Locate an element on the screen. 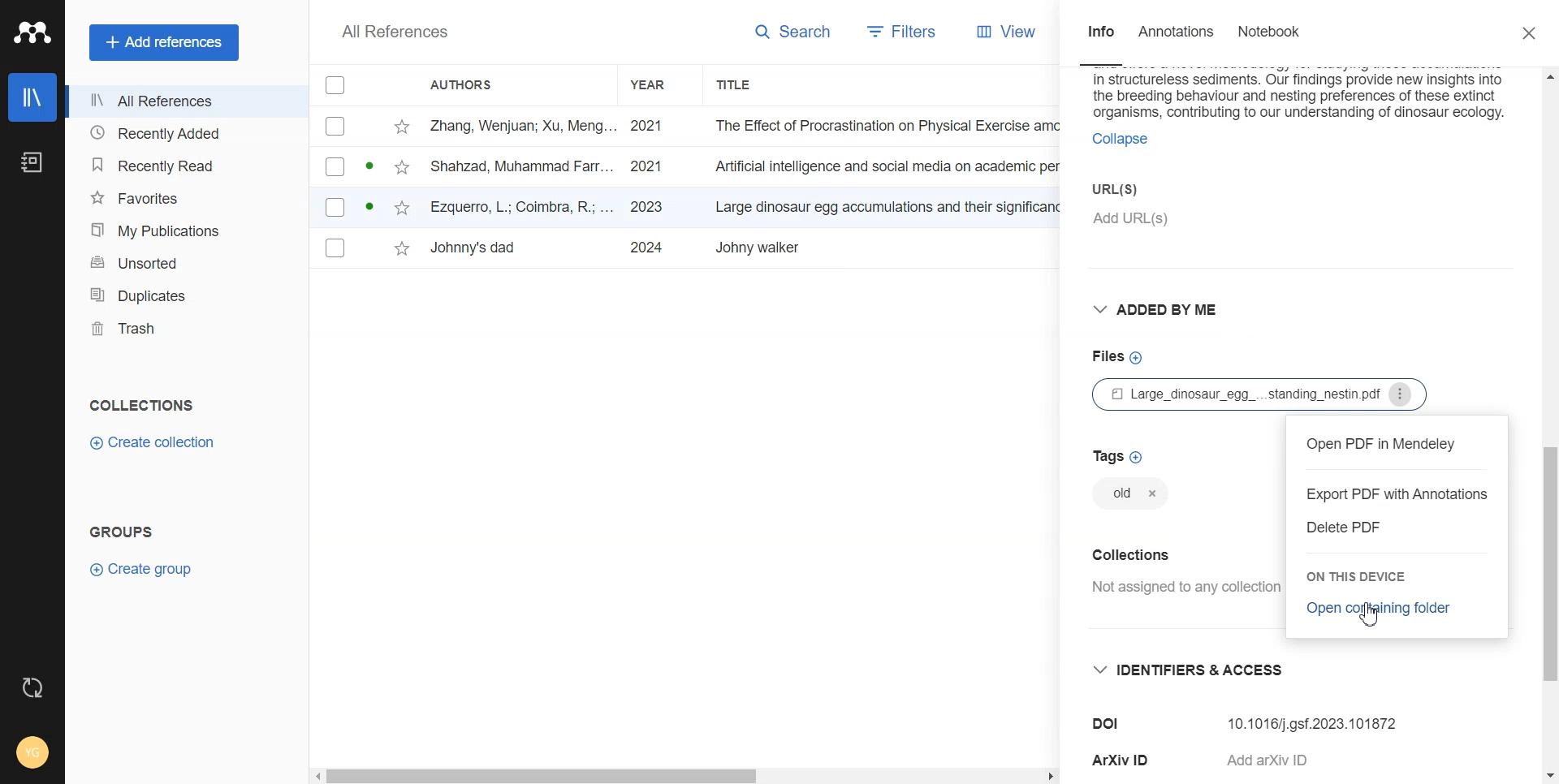  Authors is located at coordinates (470, 82).